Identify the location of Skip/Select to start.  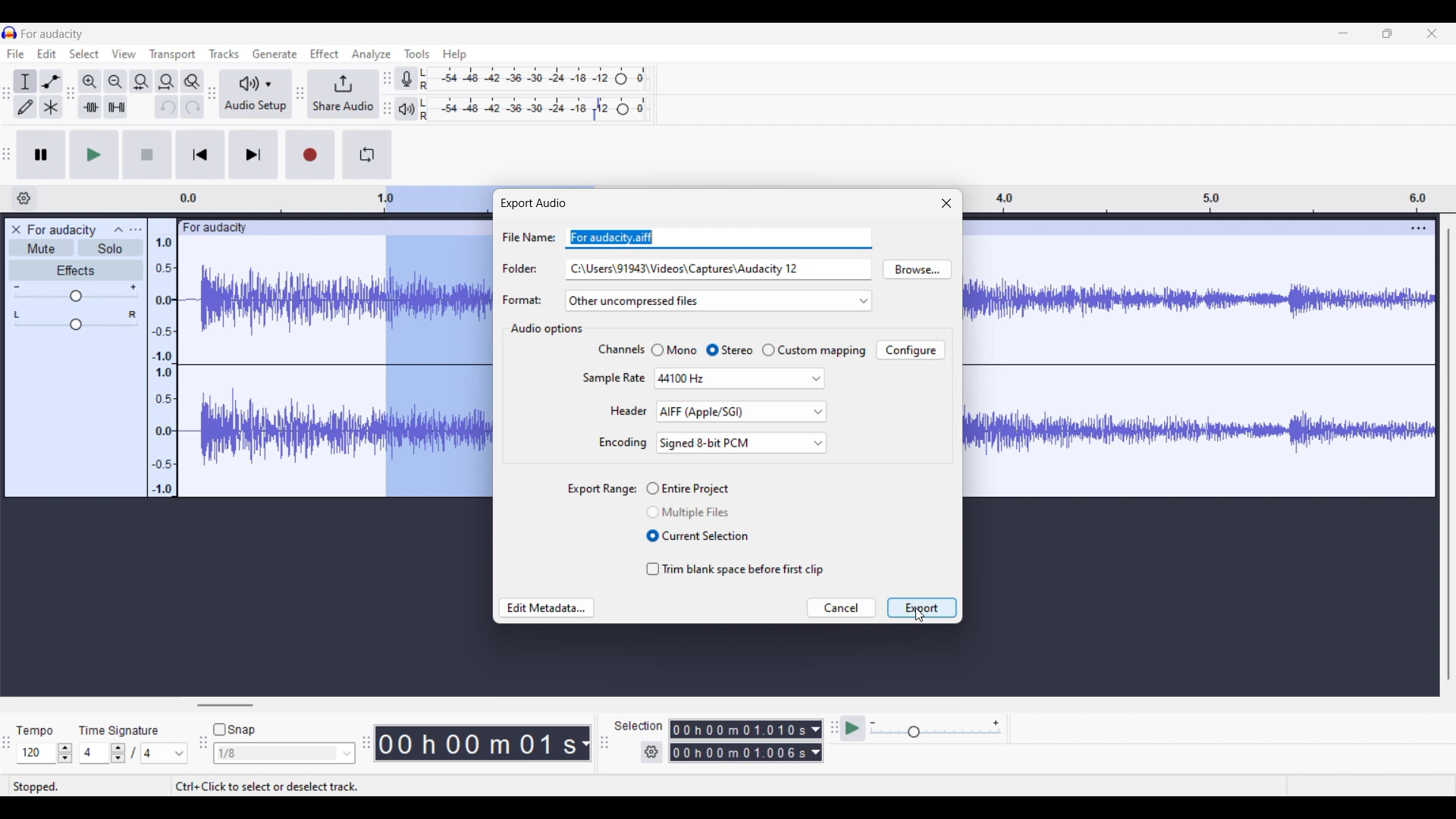
(200, 155).